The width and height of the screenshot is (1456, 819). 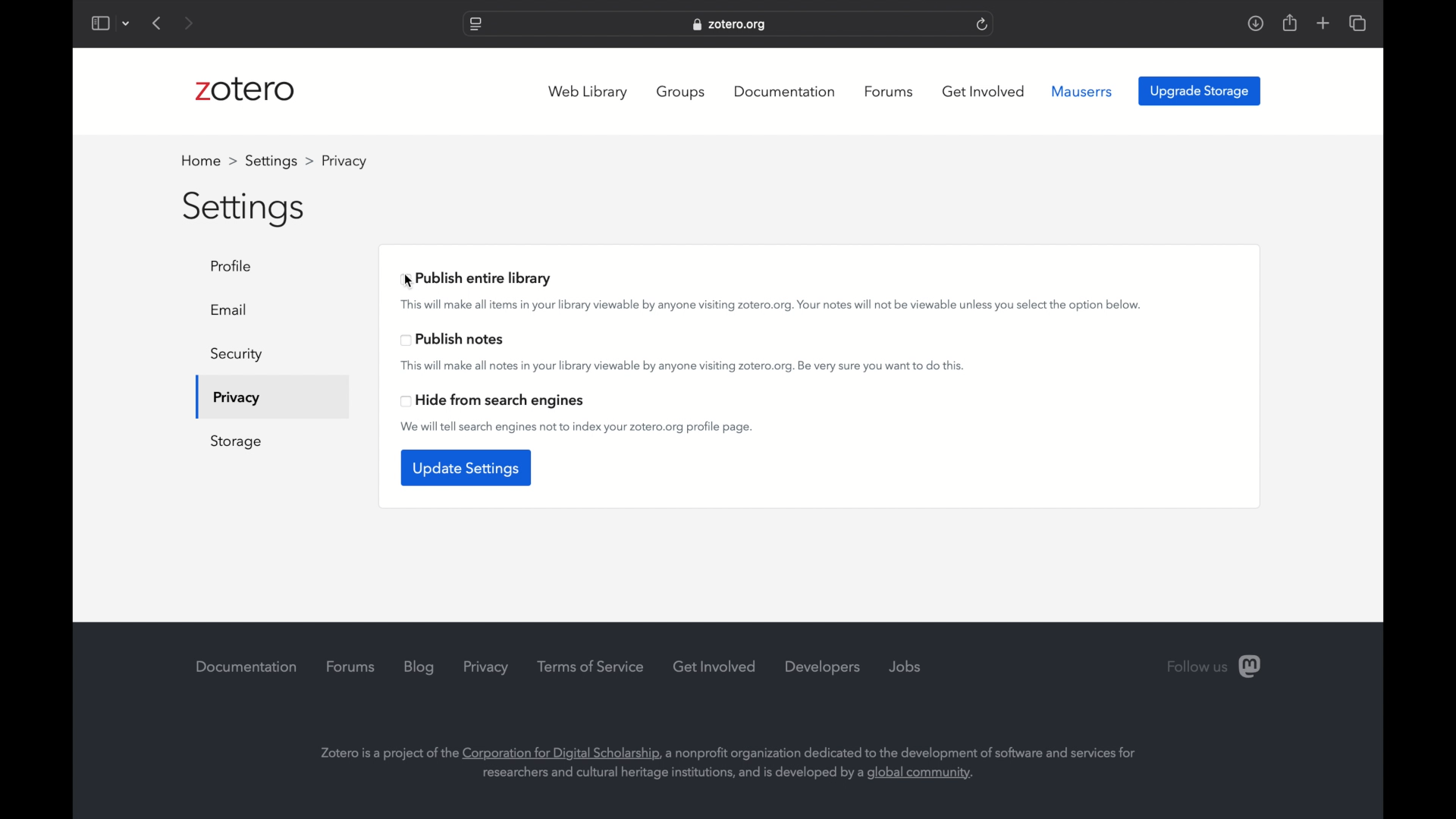 What do you see at coordinates (476, 25) in the screenshot?
I see `website settings` at bounding box center [476, 25].